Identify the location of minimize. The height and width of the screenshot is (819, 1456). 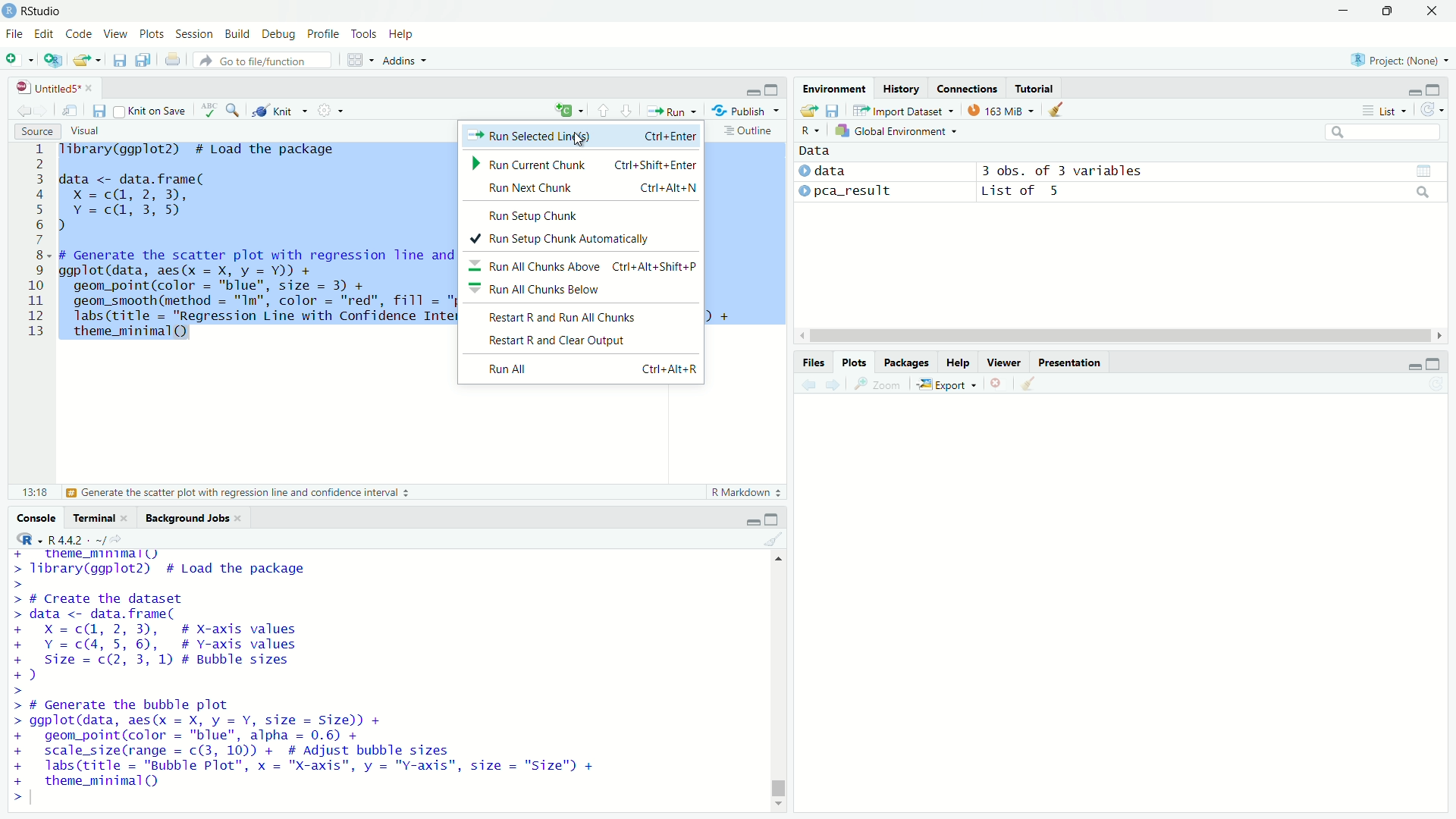
(1412, 364).